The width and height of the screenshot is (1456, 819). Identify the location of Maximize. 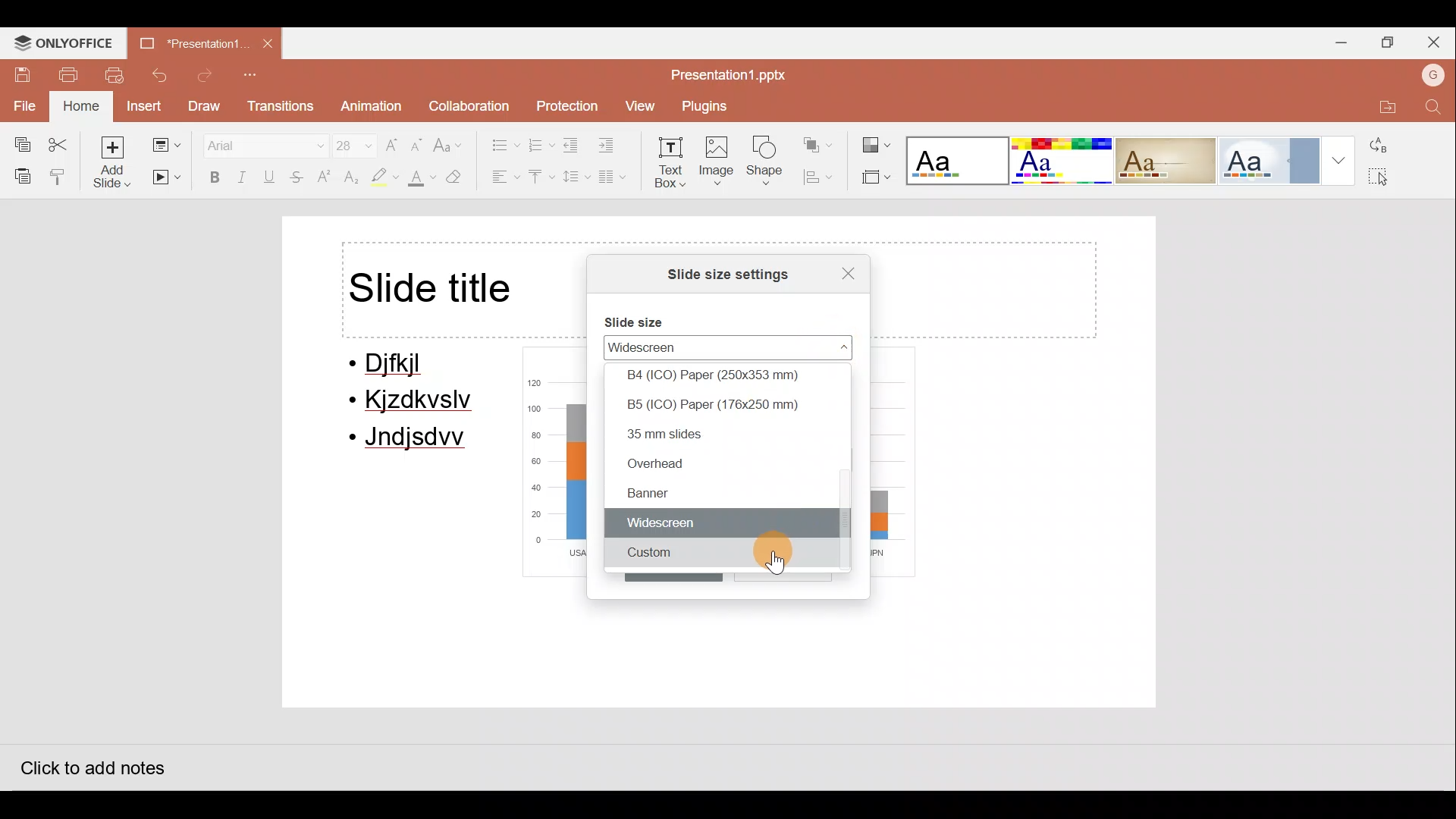
(1389, 41).